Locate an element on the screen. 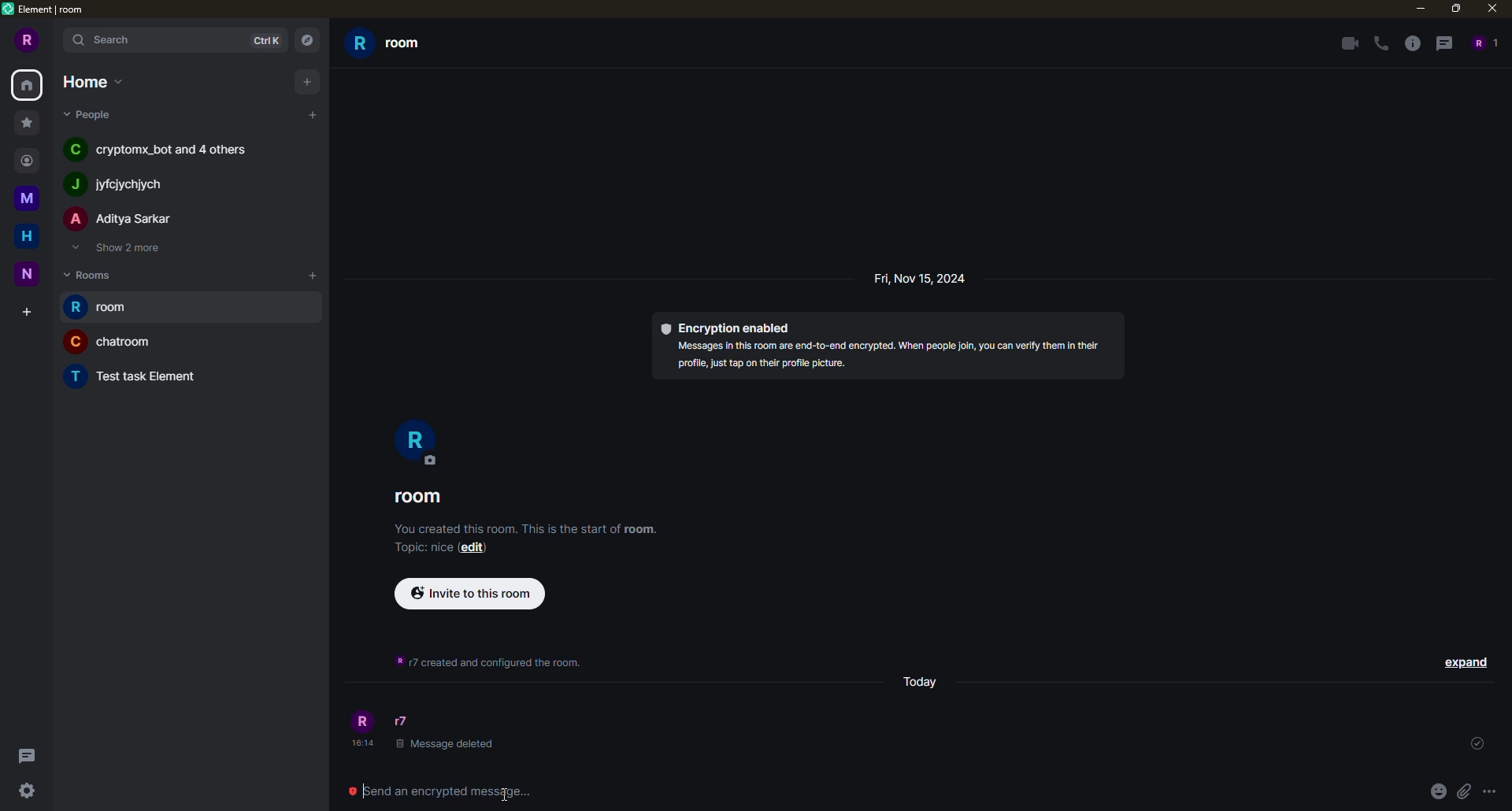 The height and width of the screenshot is (811, 1512). minimize is located at coordinates (1417, 9).